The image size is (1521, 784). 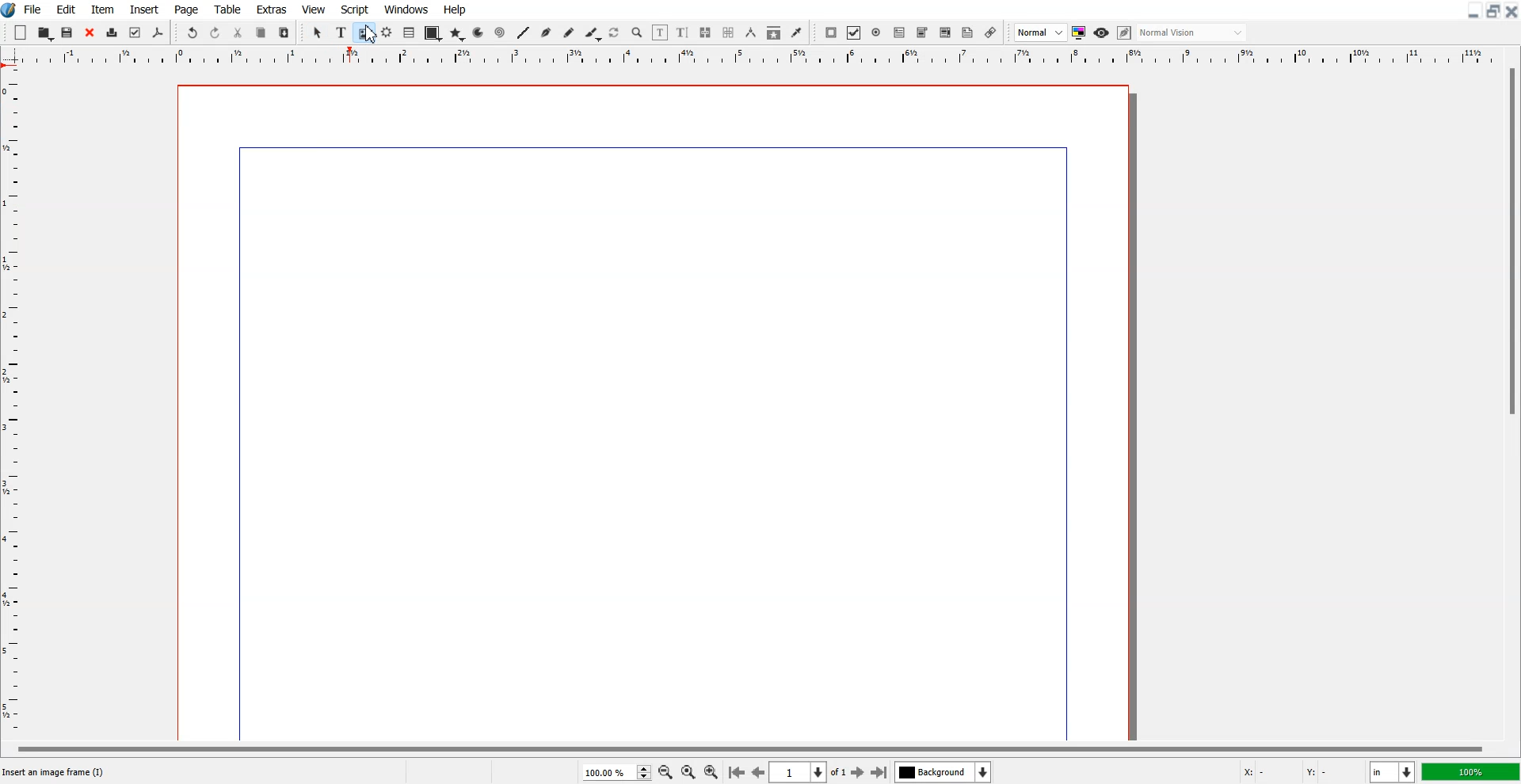 What do you see at coordinates (1301, 771) in the screenshot?
I see `X,Y Co-ordinate` at bounding box center [1301, 771].